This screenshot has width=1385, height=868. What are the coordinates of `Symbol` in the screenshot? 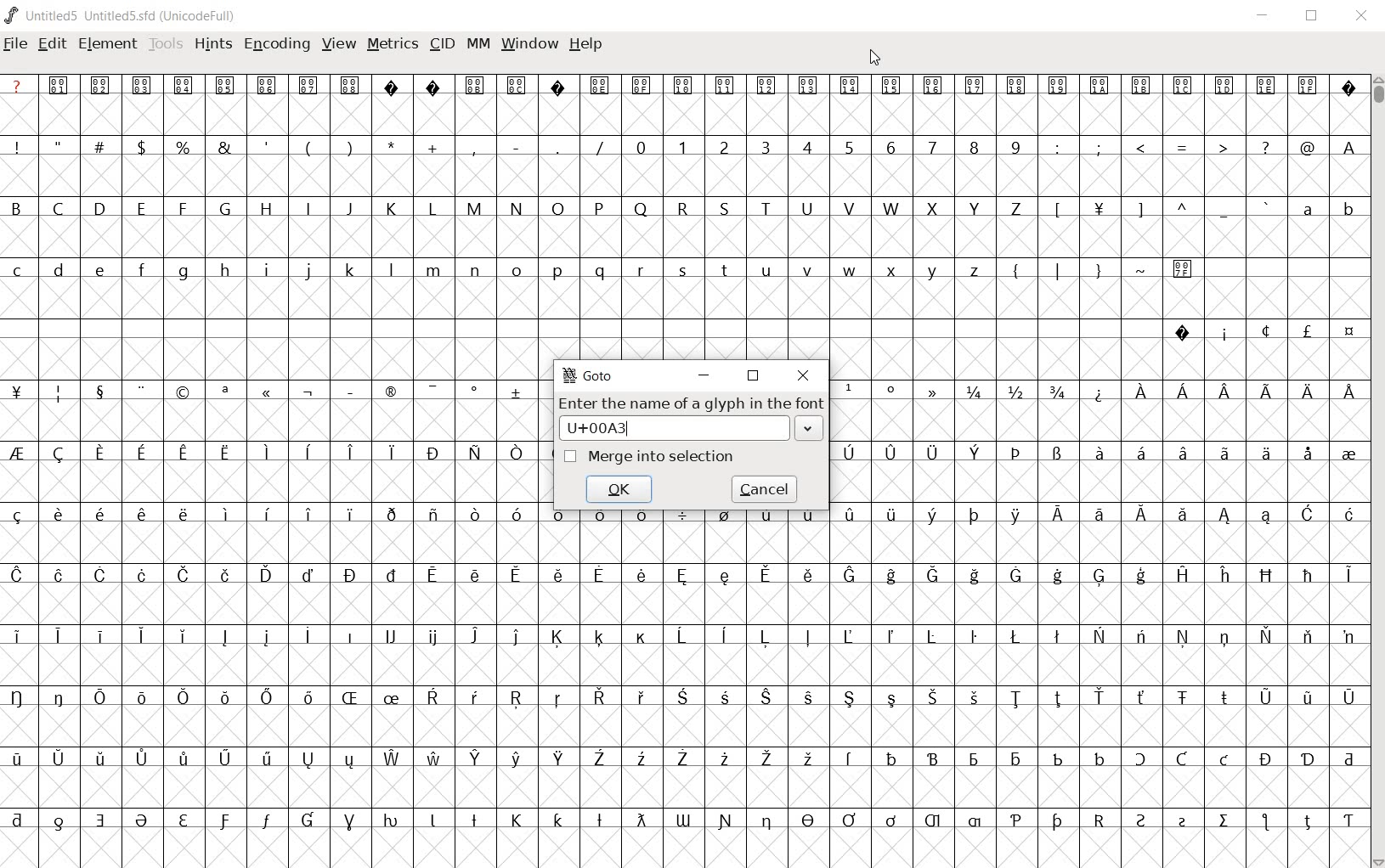 It's located at (682, 634).